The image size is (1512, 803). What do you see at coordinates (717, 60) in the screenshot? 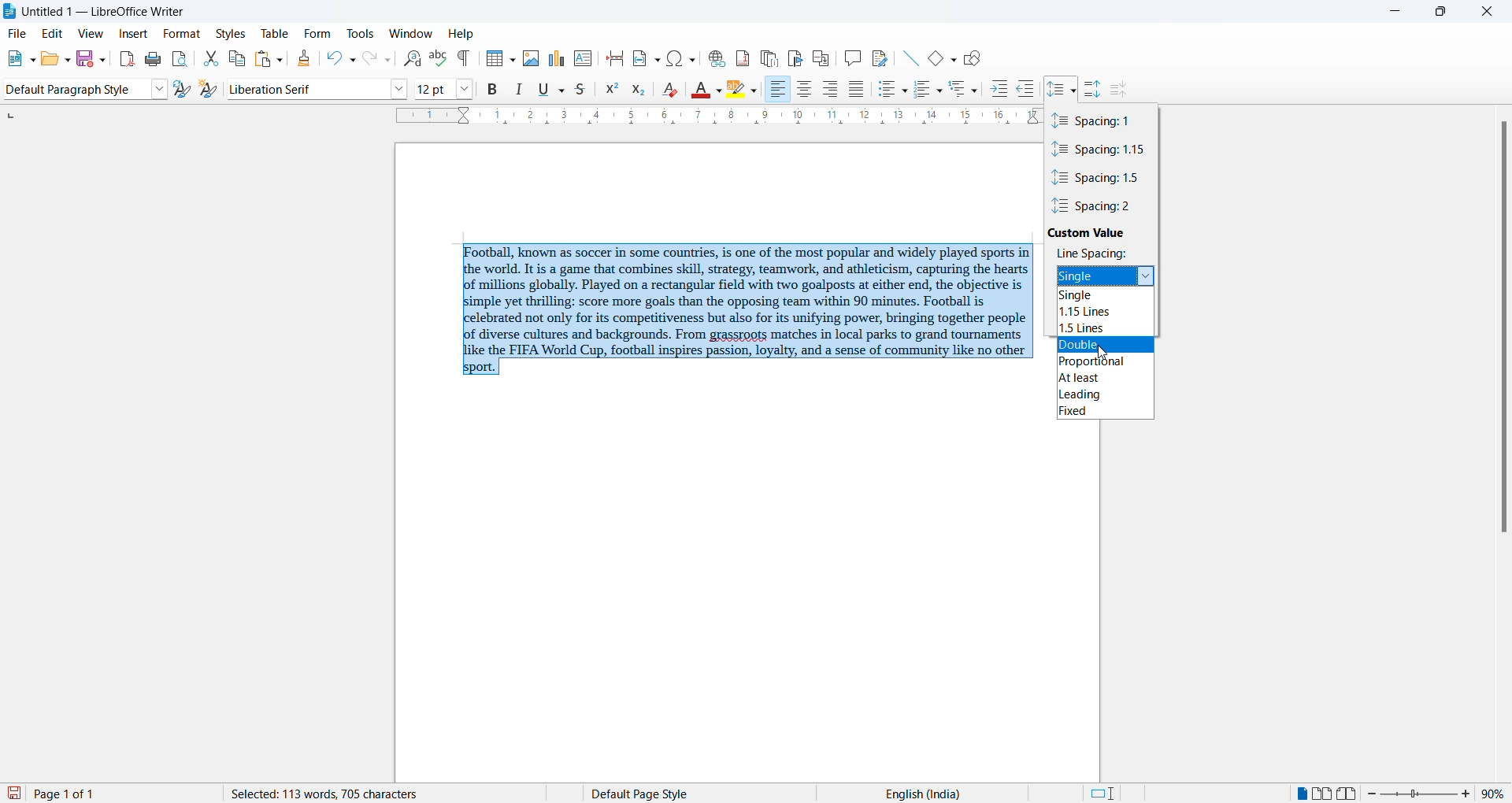
I see `insert hyperlink` at bounding box center [717, 60].